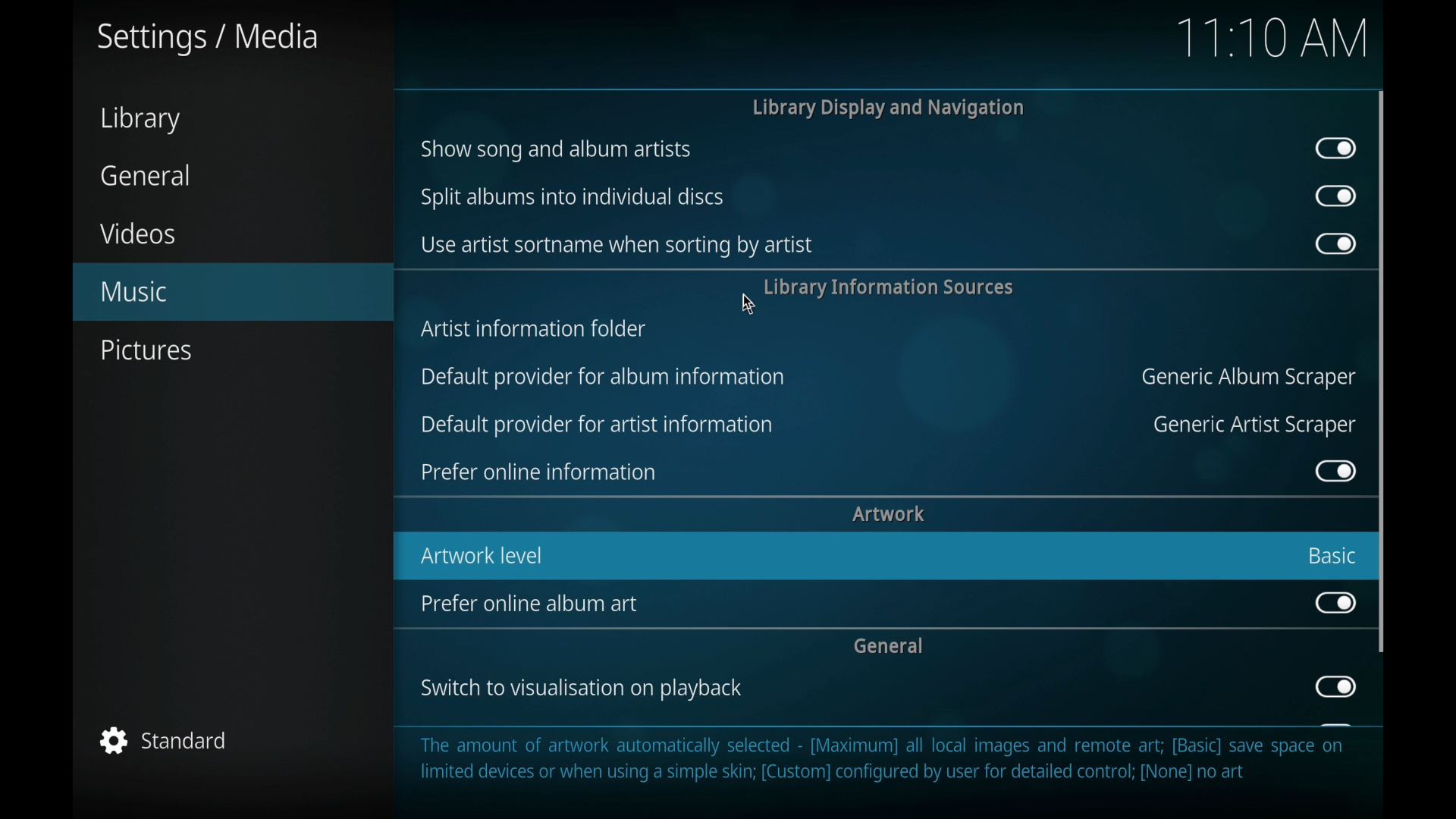  Describe the element at coordinates (889, 645) in the screenshot. I see `general` at that location.